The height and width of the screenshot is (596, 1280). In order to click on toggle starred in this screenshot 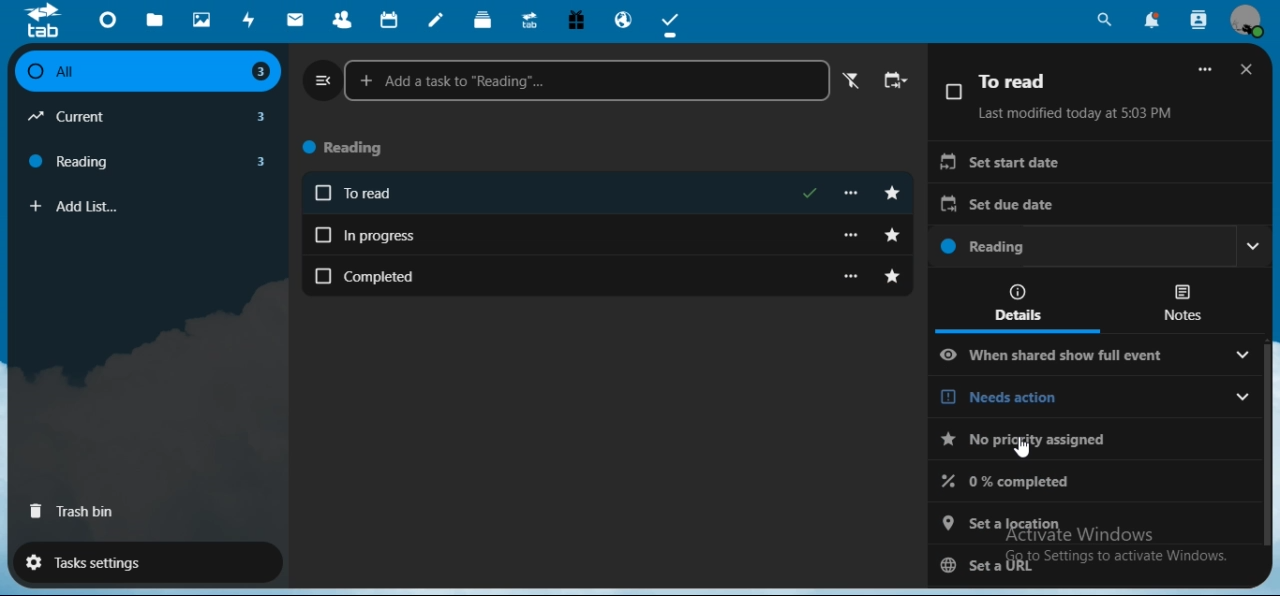, I will do `click(896, 276)`.